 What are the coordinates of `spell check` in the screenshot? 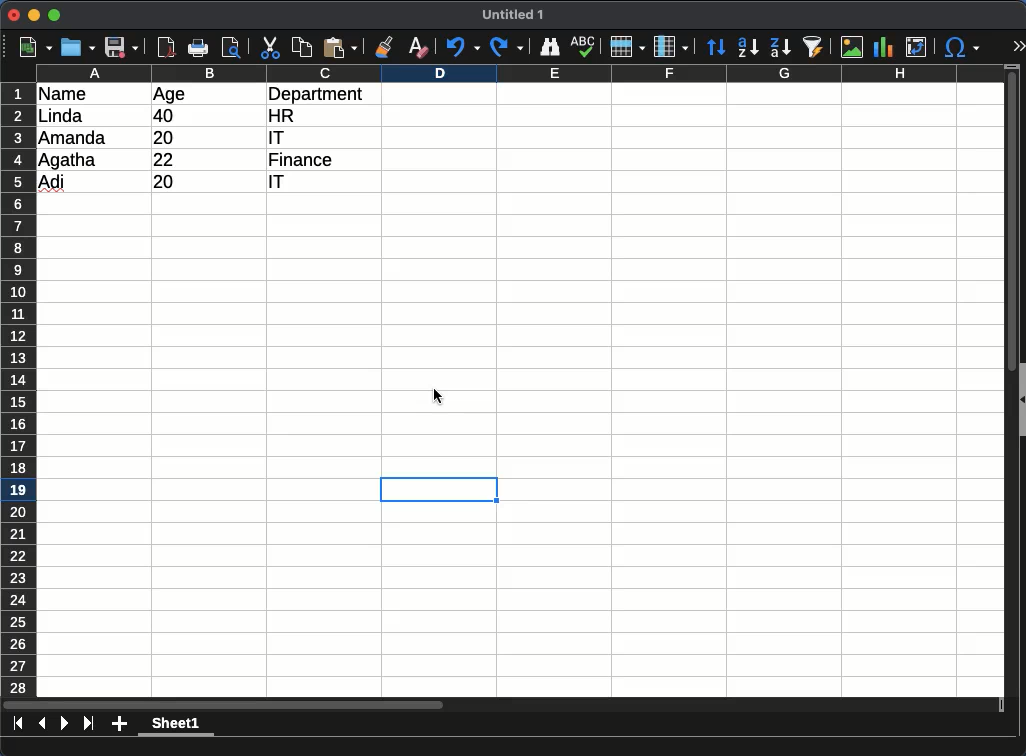 It's located at (584, 44).